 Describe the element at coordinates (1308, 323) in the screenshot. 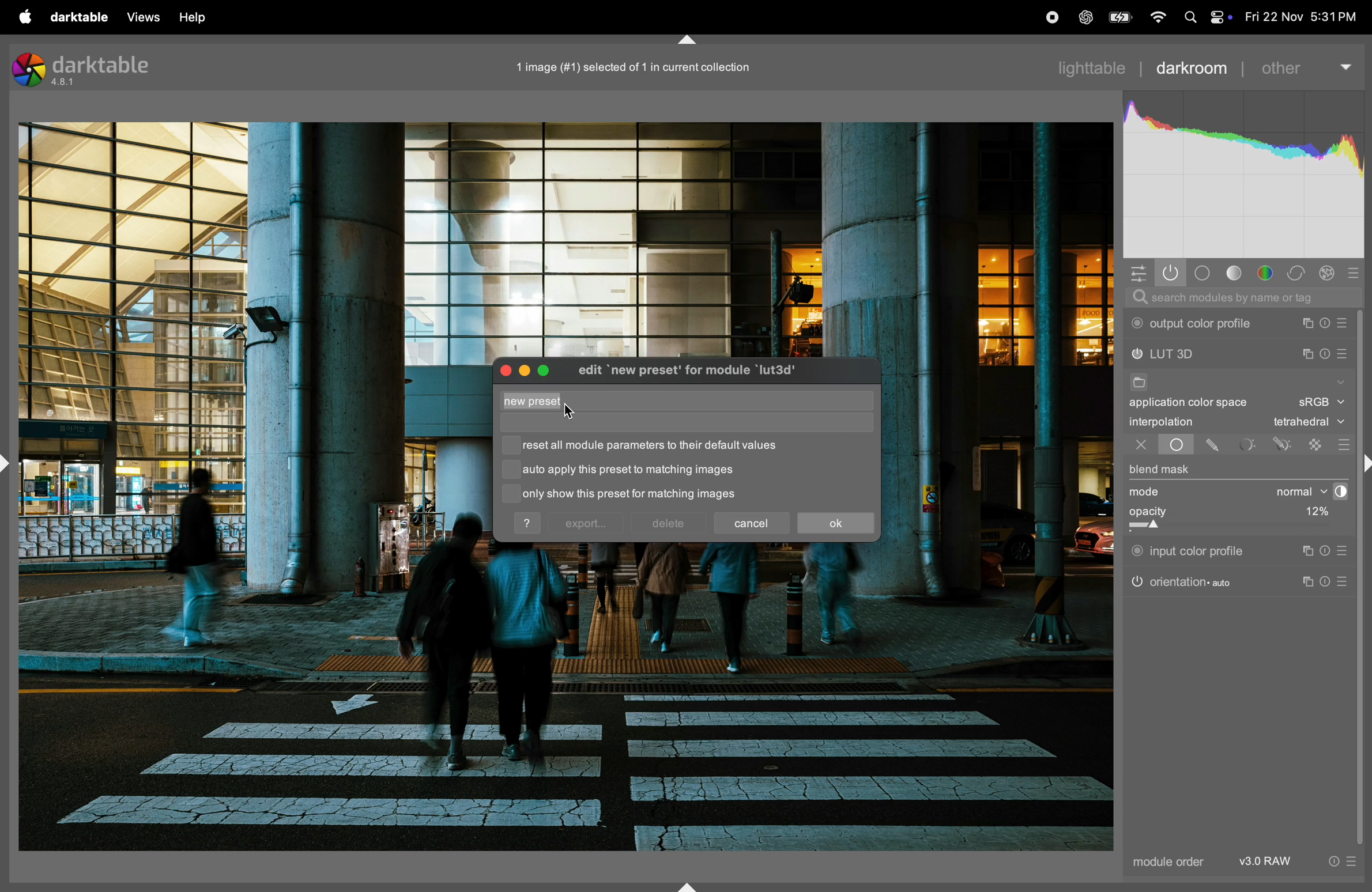

I see `multiple instance actions` at that location.